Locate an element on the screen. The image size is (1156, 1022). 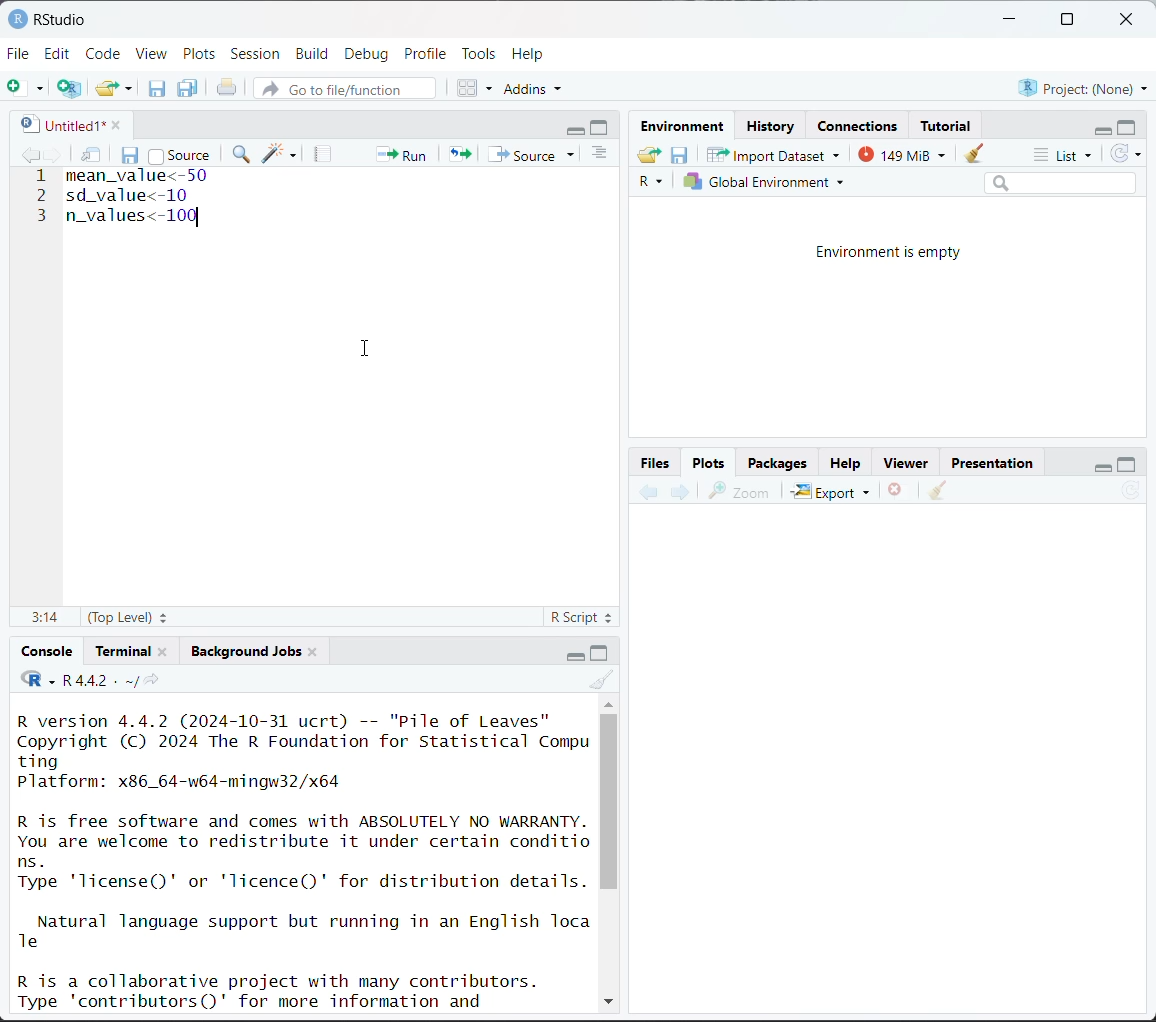
 is located at coordinates (657, 462).